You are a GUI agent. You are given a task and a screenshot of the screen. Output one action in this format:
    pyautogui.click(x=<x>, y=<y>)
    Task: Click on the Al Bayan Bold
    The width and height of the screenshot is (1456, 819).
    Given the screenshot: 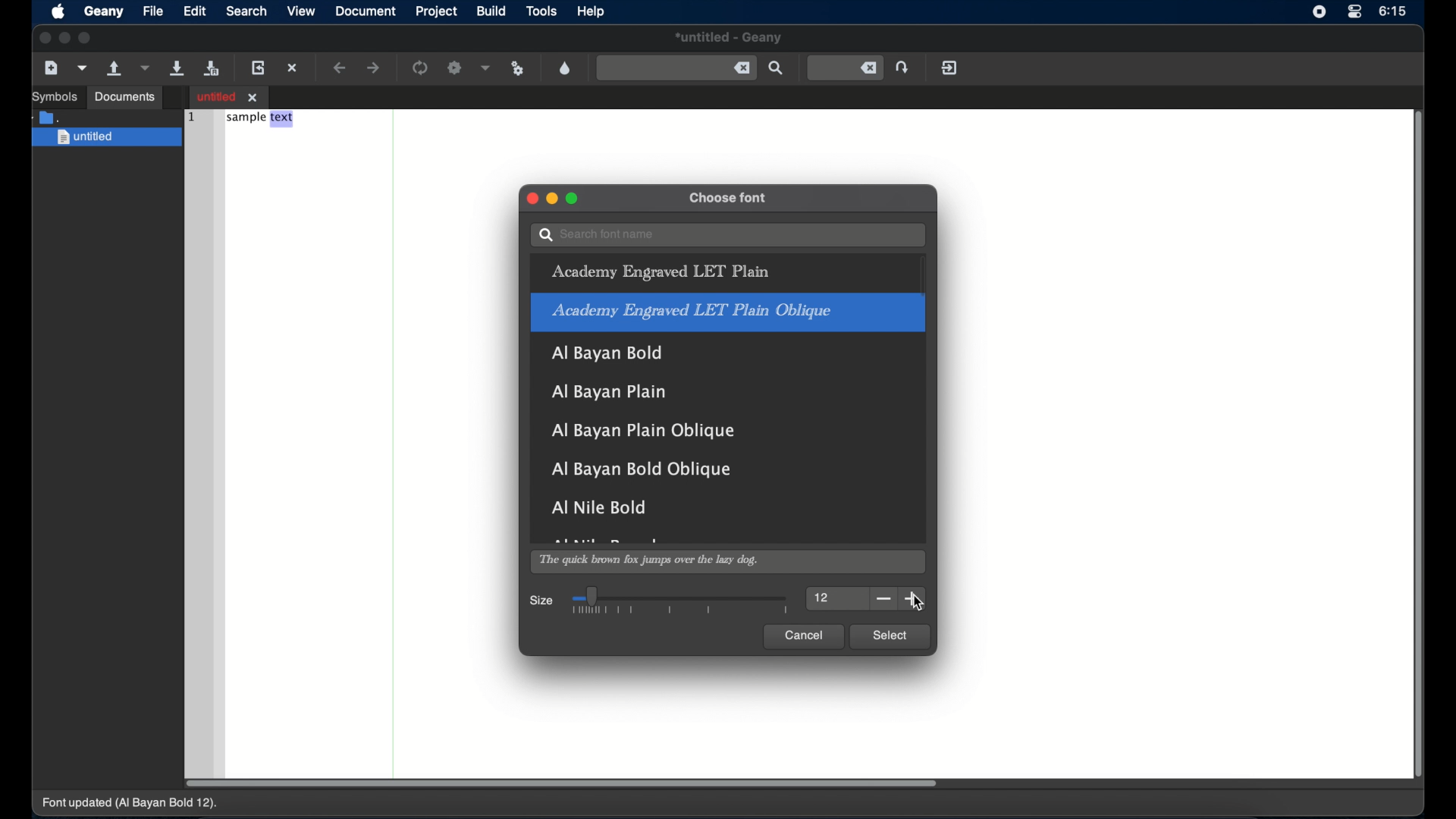 What is the action you would take?
    pyautogui.click(x=613, y=358)
    